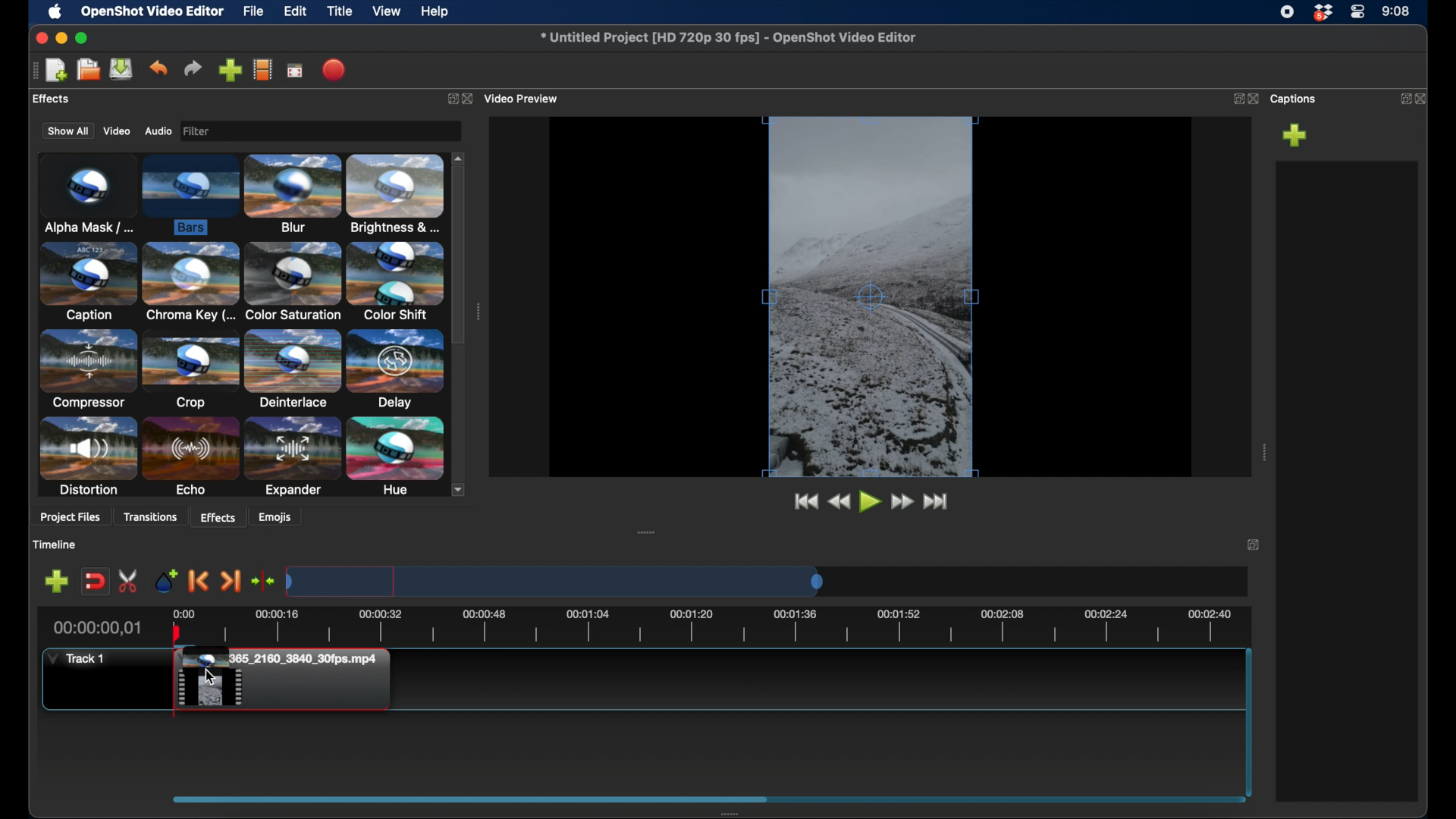  I want to click on explore profiles, so click(263, 70).